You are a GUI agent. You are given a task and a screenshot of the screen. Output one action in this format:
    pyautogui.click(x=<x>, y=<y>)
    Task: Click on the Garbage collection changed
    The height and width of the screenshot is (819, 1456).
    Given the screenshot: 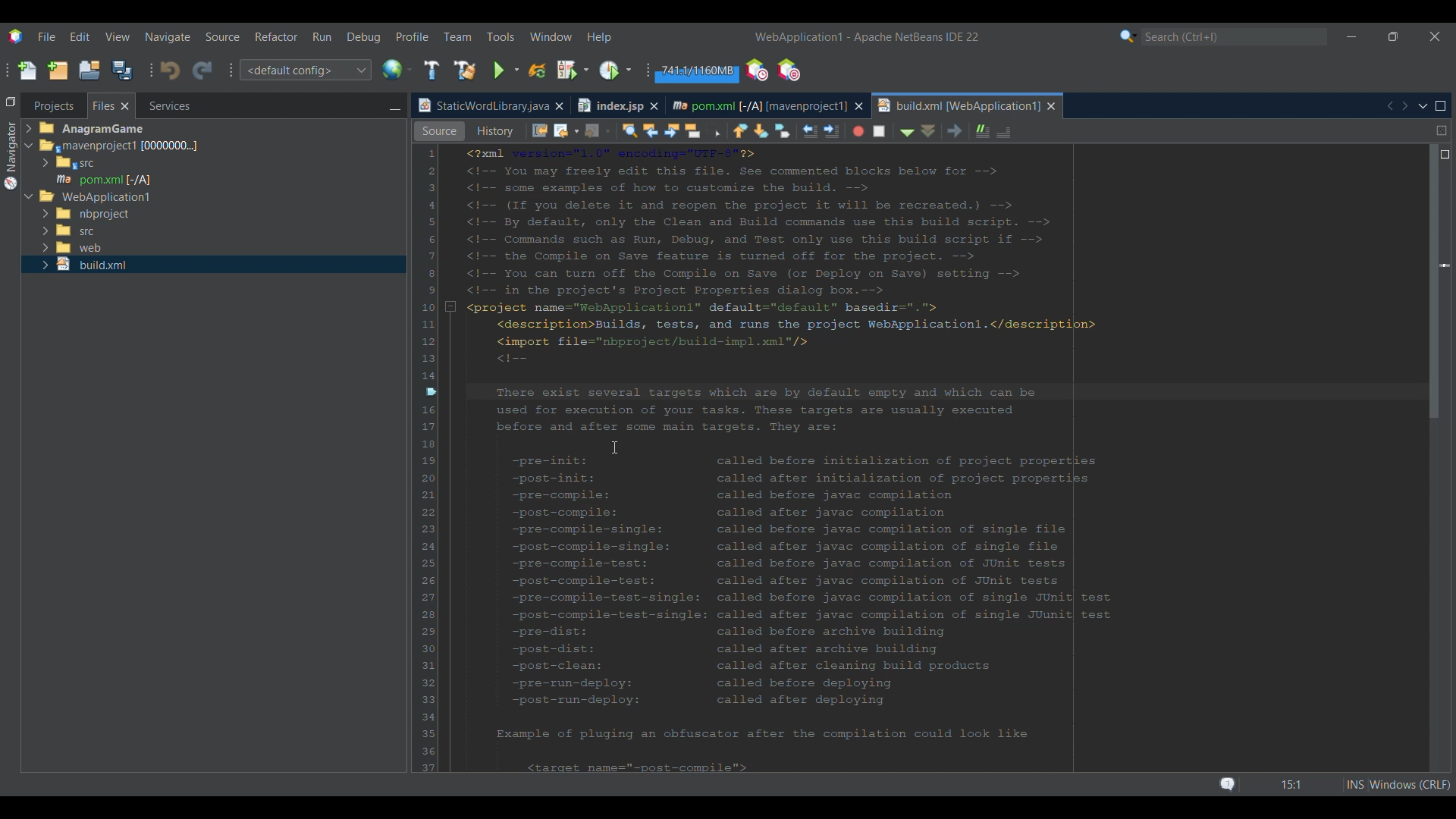 What is the action you would take?
    pyautogui.click(x=697, y=73)
    